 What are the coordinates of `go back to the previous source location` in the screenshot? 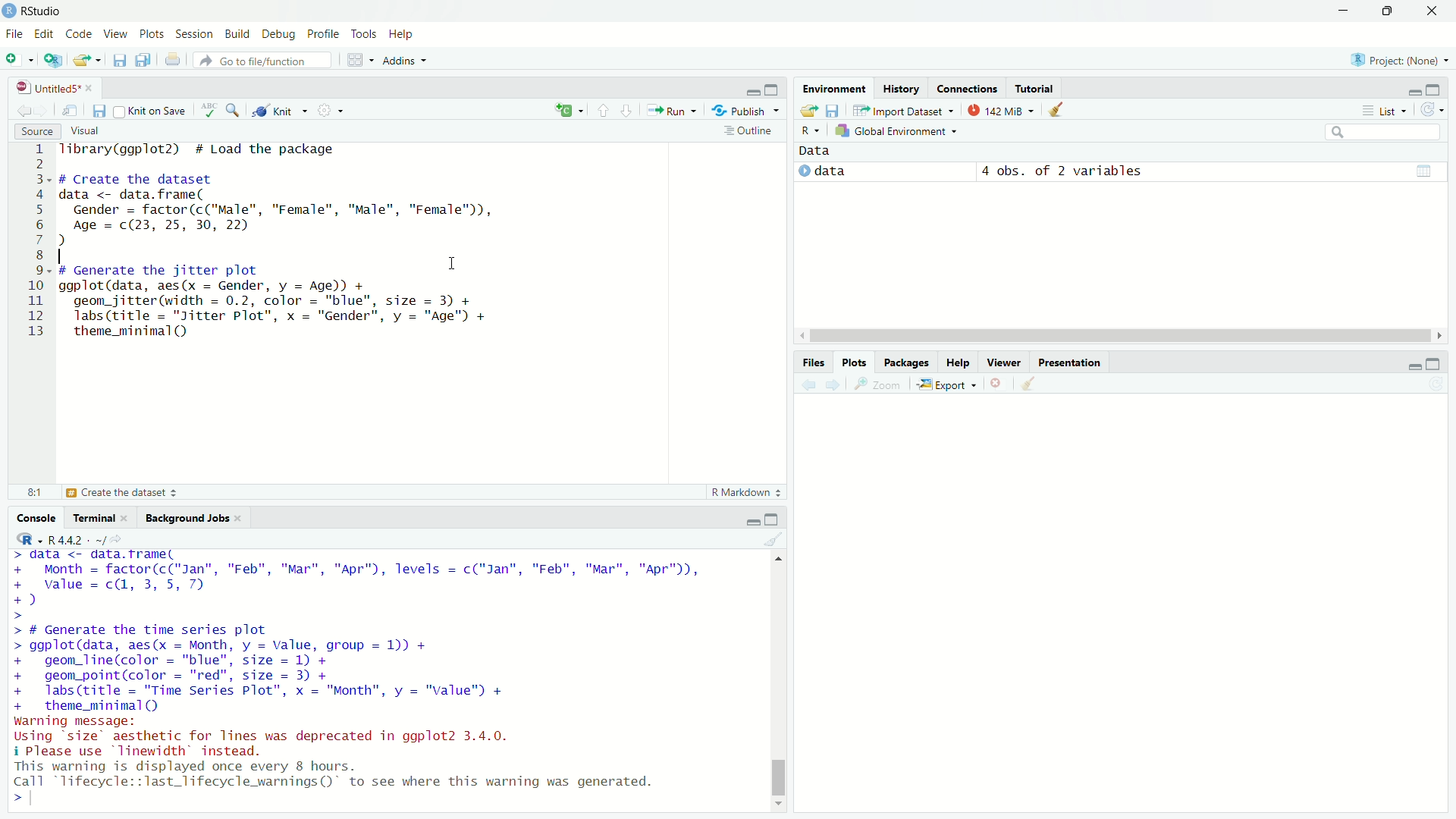 It's located at (17, 108).